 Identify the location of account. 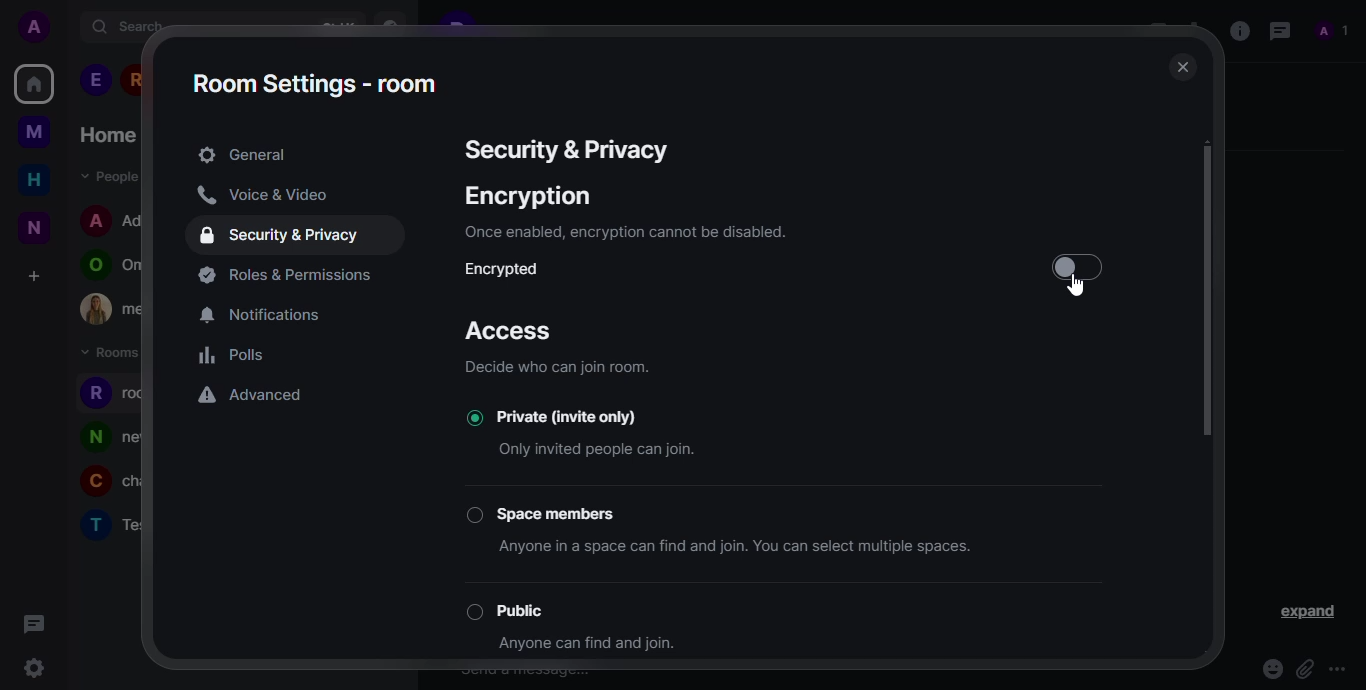
(33, 27).